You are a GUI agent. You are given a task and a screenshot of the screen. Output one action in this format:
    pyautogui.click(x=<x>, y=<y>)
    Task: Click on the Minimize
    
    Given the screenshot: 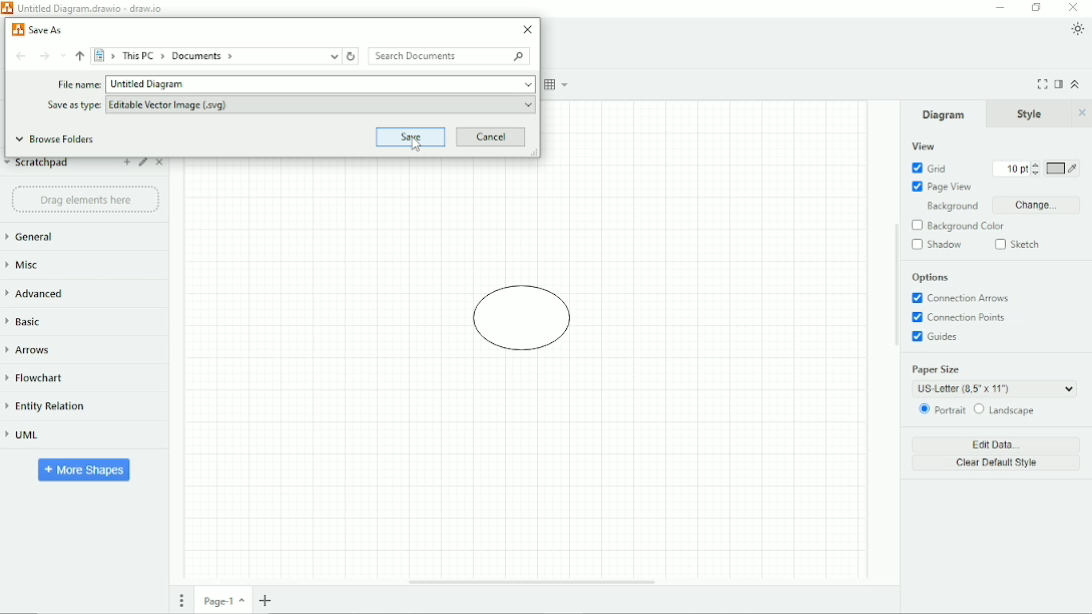 What is the action you would take?
    pyautogui.click(x=1001, y=7)
    